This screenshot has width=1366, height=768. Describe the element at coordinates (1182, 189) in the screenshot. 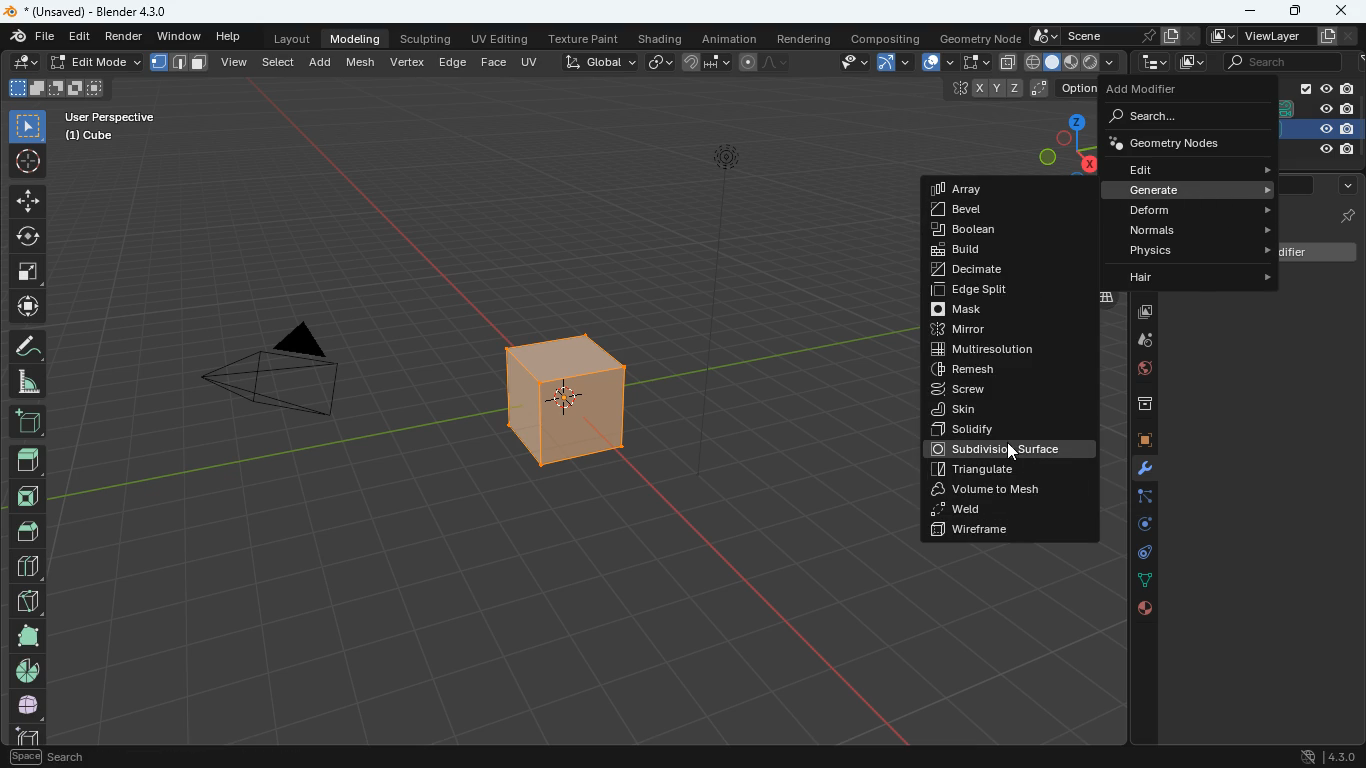

I see `generate` at that location.